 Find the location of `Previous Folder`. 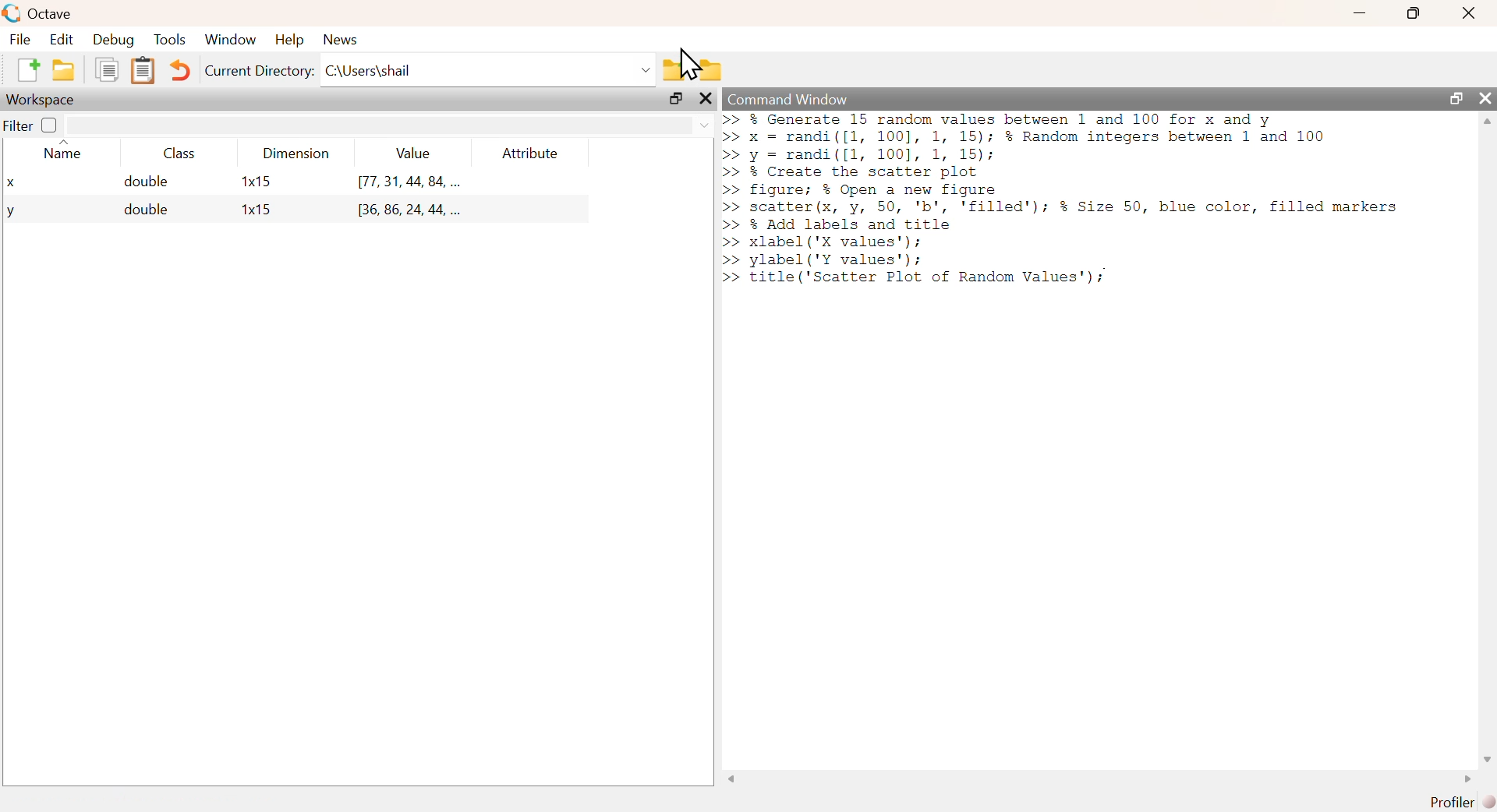

Previous Folder is located at coordinates (674, 70).